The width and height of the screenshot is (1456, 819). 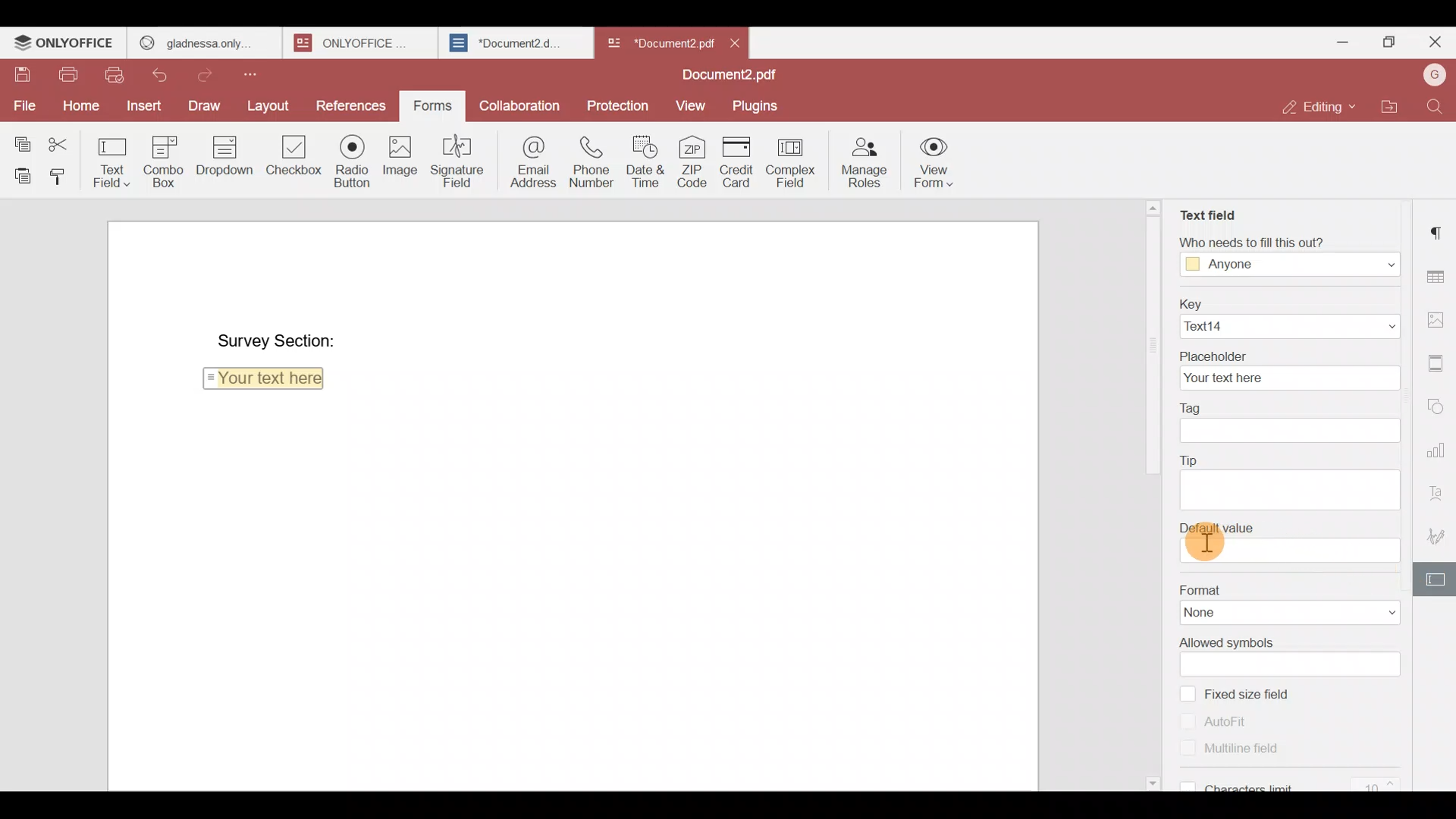 I want to click on Home, so click(x=79, y=104).